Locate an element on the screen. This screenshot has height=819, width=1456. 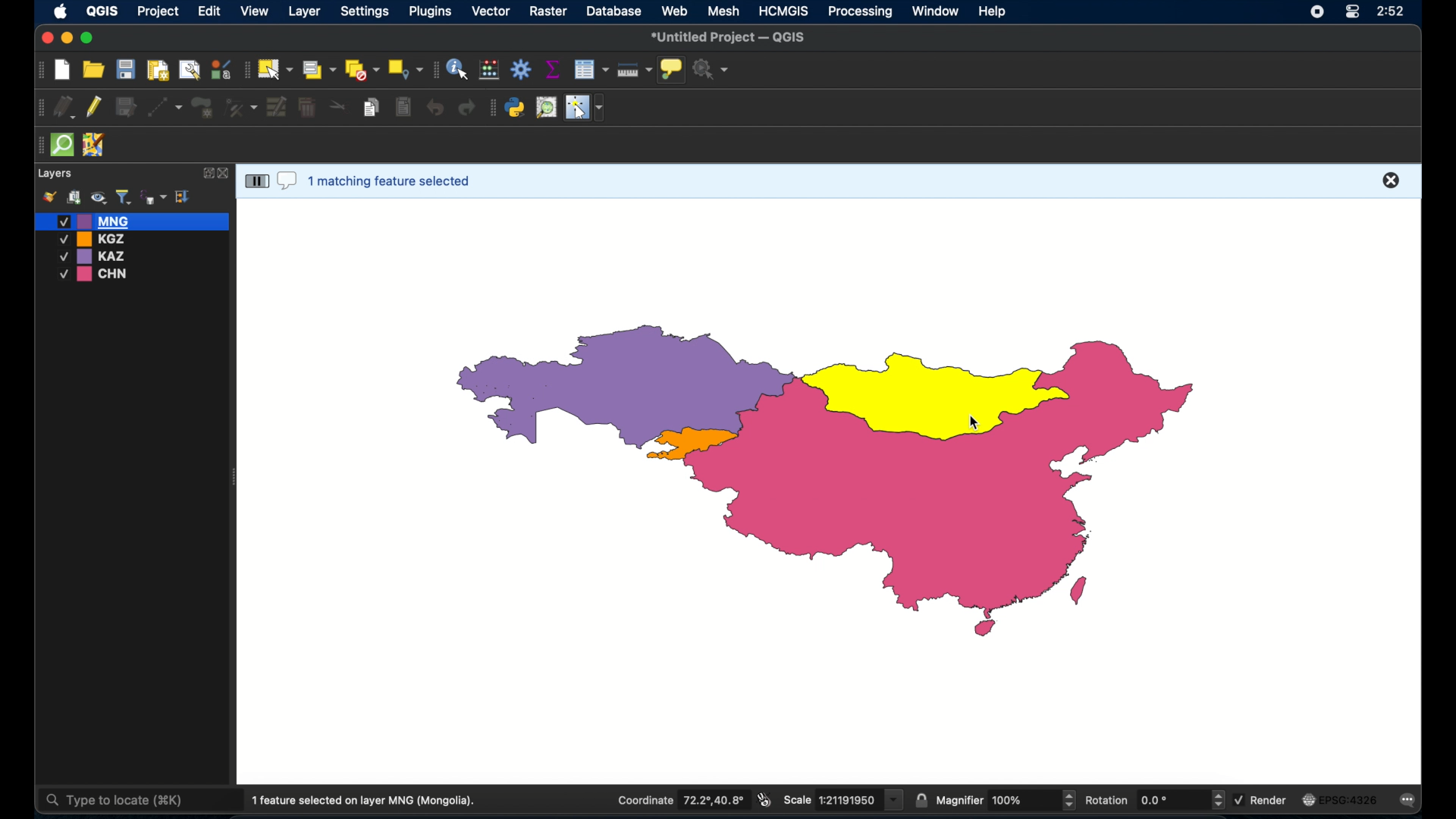
KGZ is located at coordinates (96, 239).